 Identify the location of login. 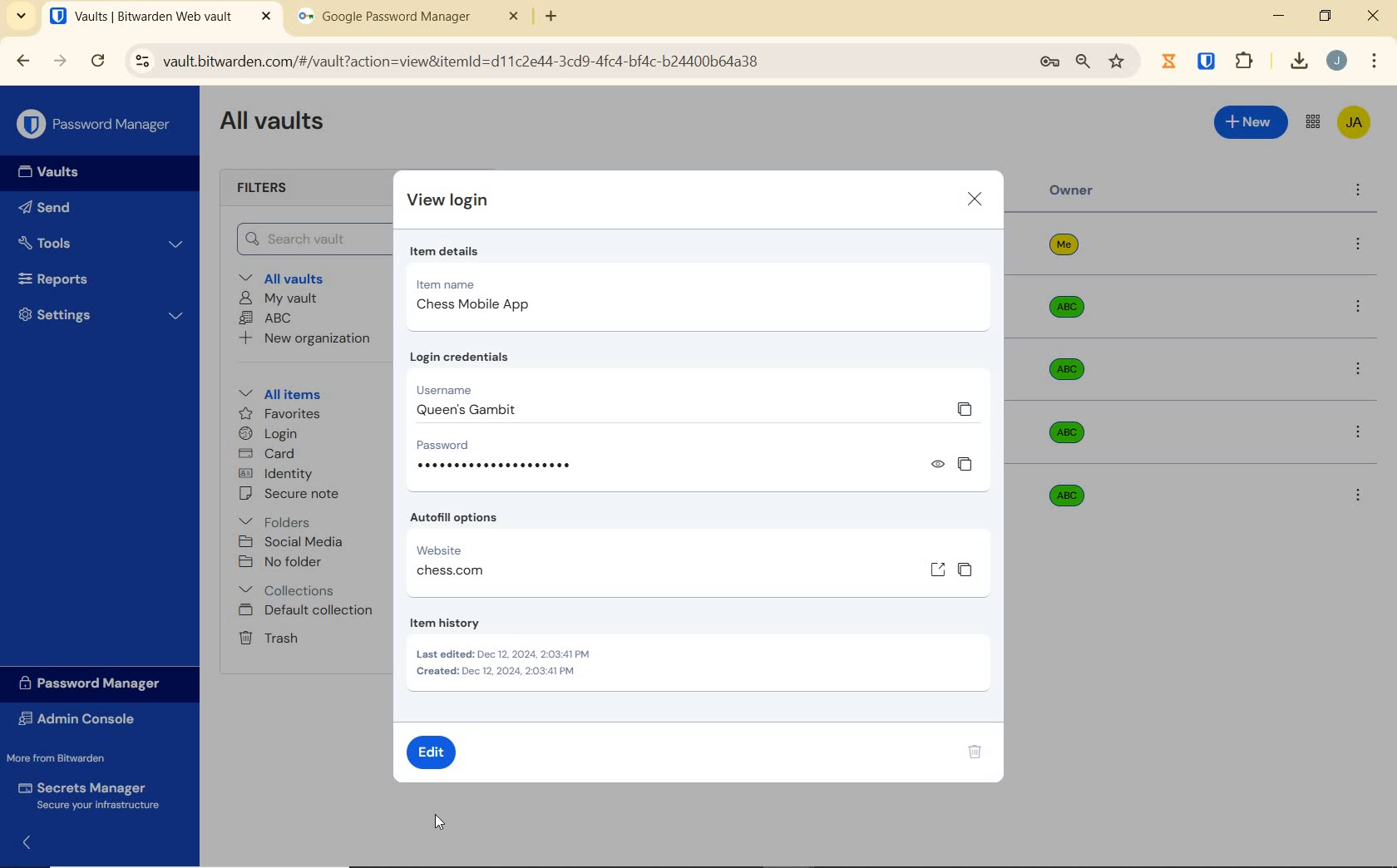
(268, 435).